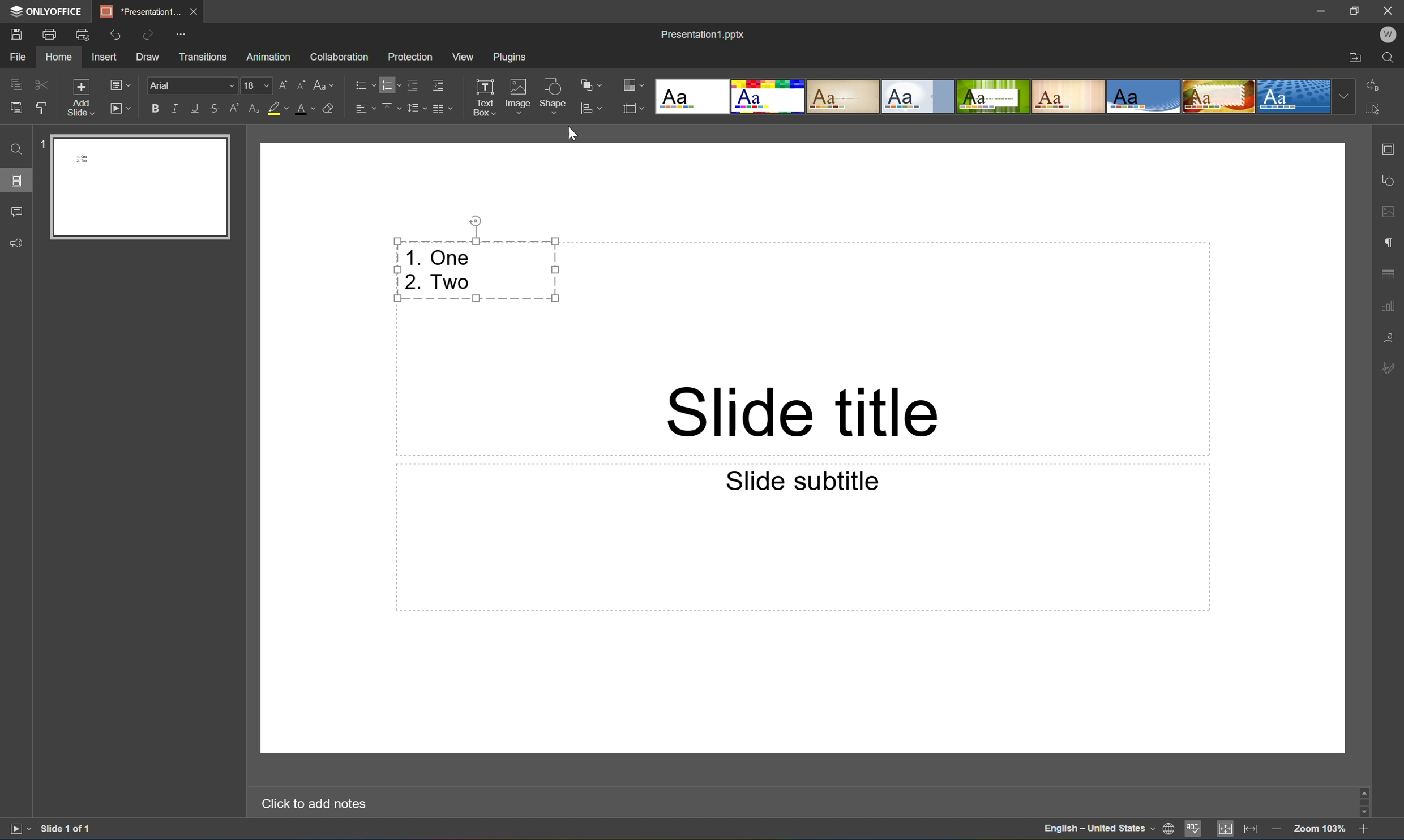 This screenshot has width=1404, height=840. What do you see at coordinates (142, 12) in the screenshot?
I see `*Presentation1...` at bounding box center [142, 12].